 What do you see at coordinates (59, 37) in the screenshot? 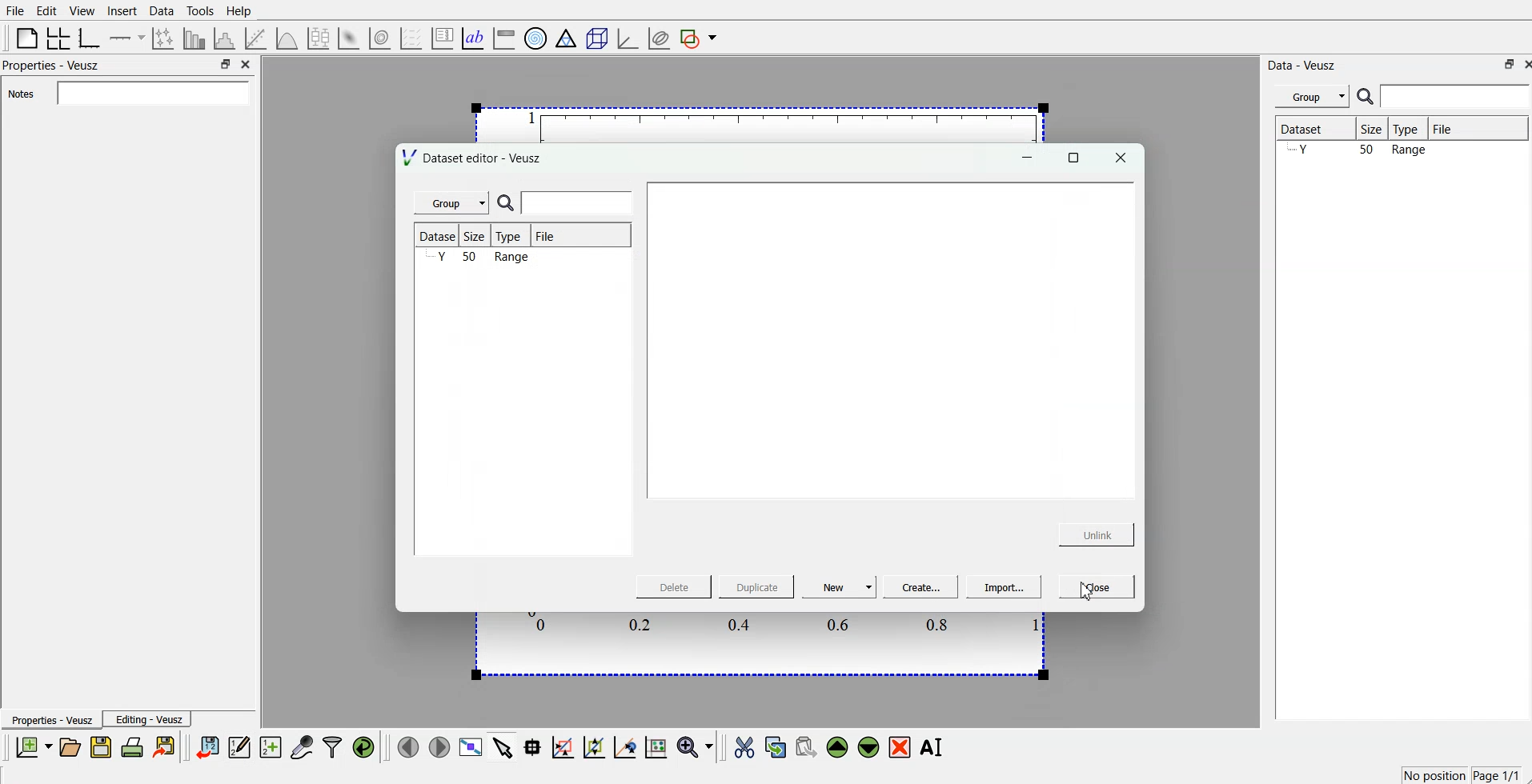
I see `arrange the graph` at bounding box center [59, 37].